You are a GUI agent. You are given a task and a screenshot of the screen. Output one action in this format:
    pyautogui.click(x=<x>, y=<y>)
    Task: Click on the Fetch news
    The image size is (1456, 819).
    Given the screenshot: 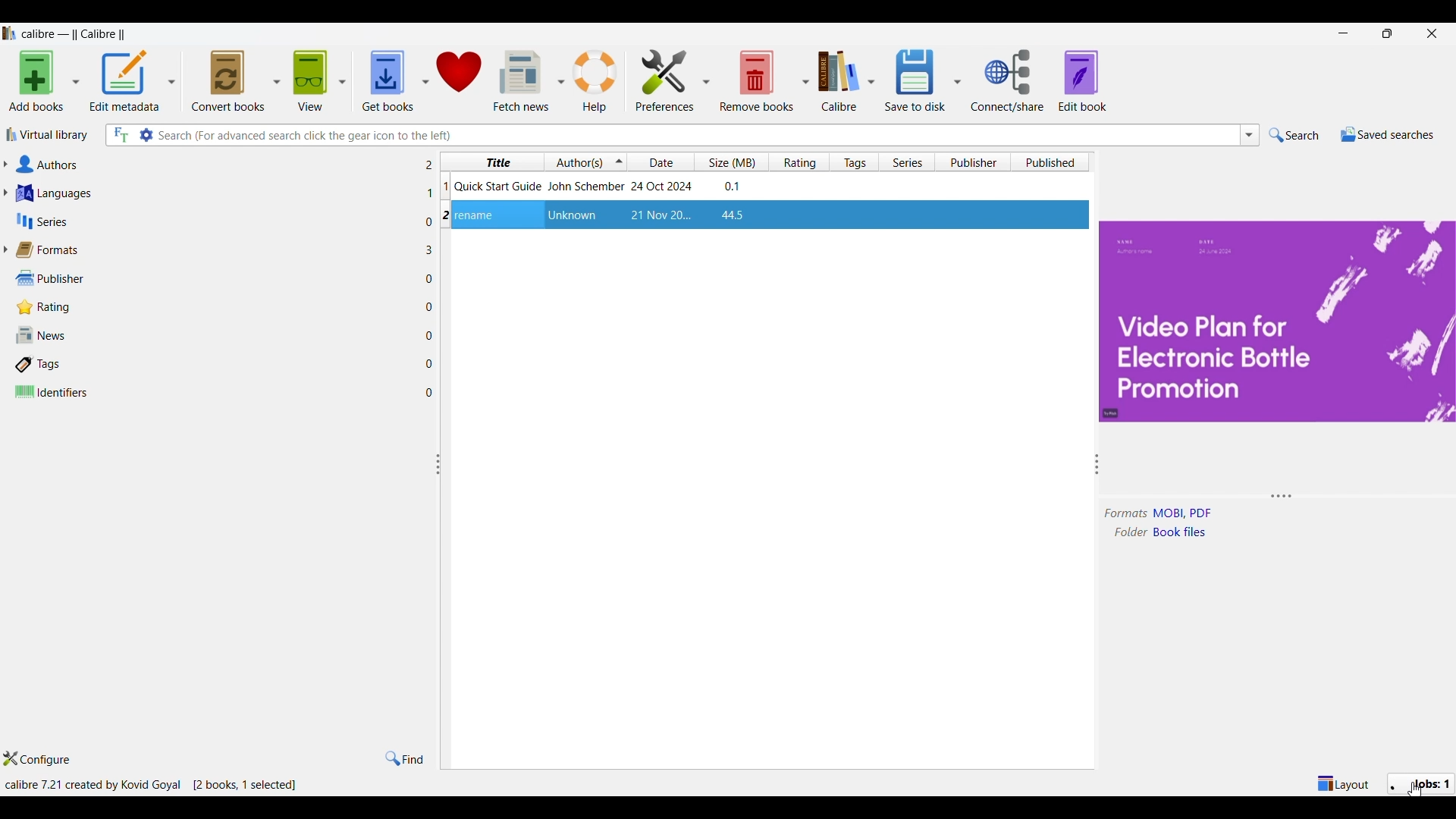 What is the action you would take?
    pyautogui.click(x=520, y=81)
    